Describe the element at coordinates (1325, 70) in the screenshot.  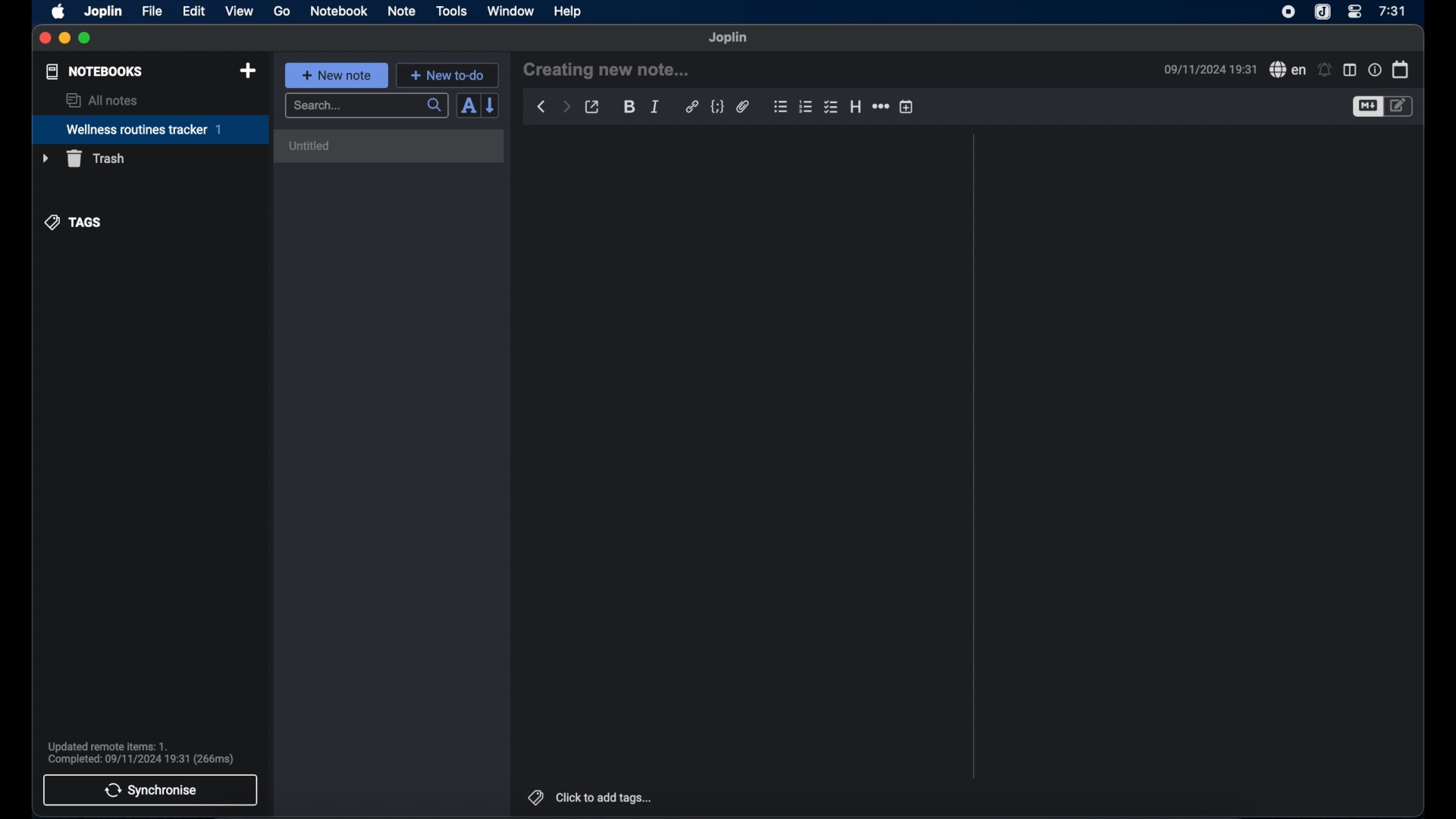
I see `set alarms` at that location.